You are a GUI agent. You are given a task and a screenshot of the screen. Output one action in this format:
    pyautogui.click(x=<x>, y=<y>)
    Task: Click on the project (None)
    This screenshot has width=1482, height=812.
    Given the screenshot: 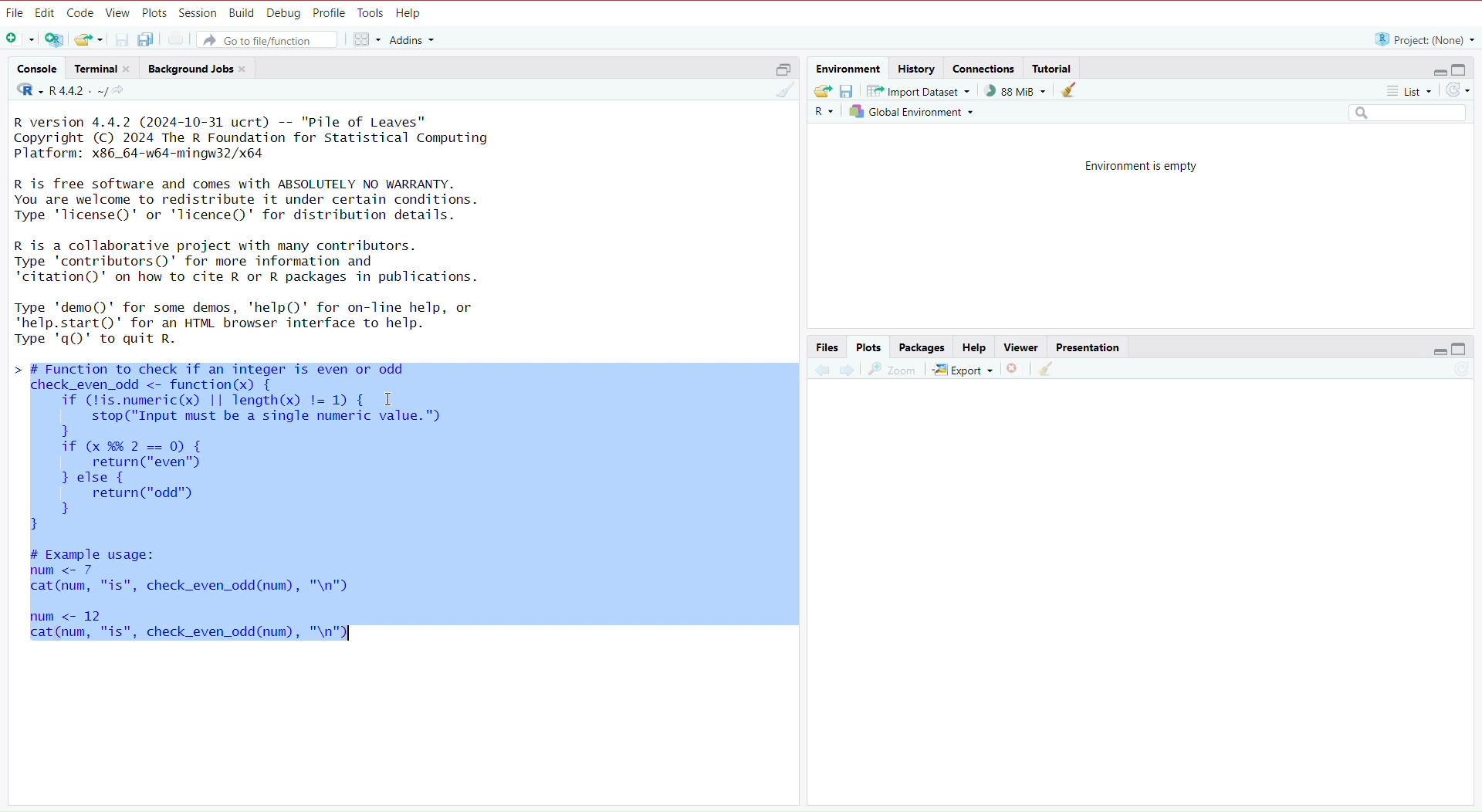 What is the action you would take?
    pyautogui.click(x=1423, y=39)
    